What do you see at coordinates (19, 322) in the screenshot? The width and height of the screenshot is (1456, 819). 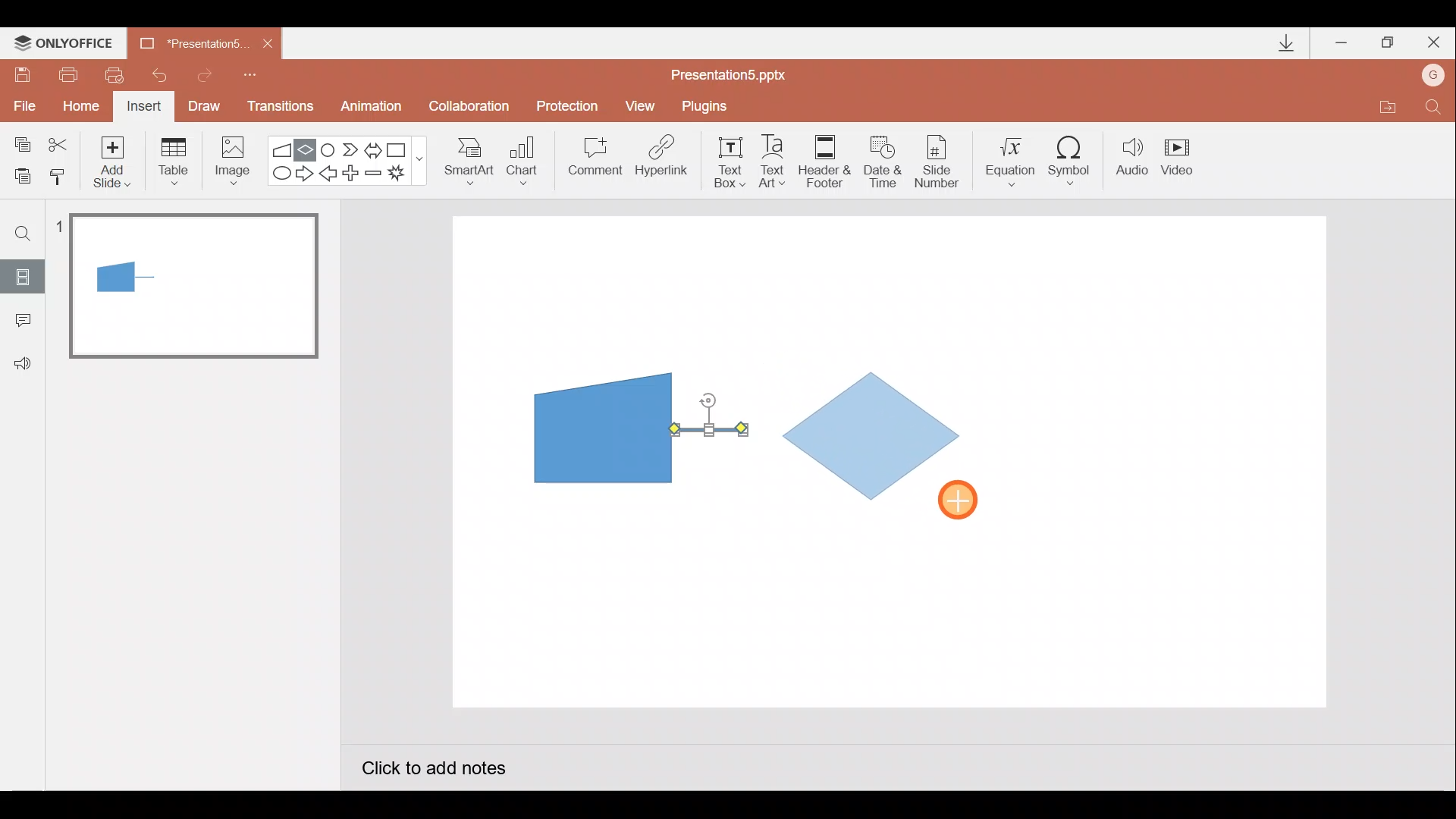 I see `Comments` at bounding box center [19, 322].